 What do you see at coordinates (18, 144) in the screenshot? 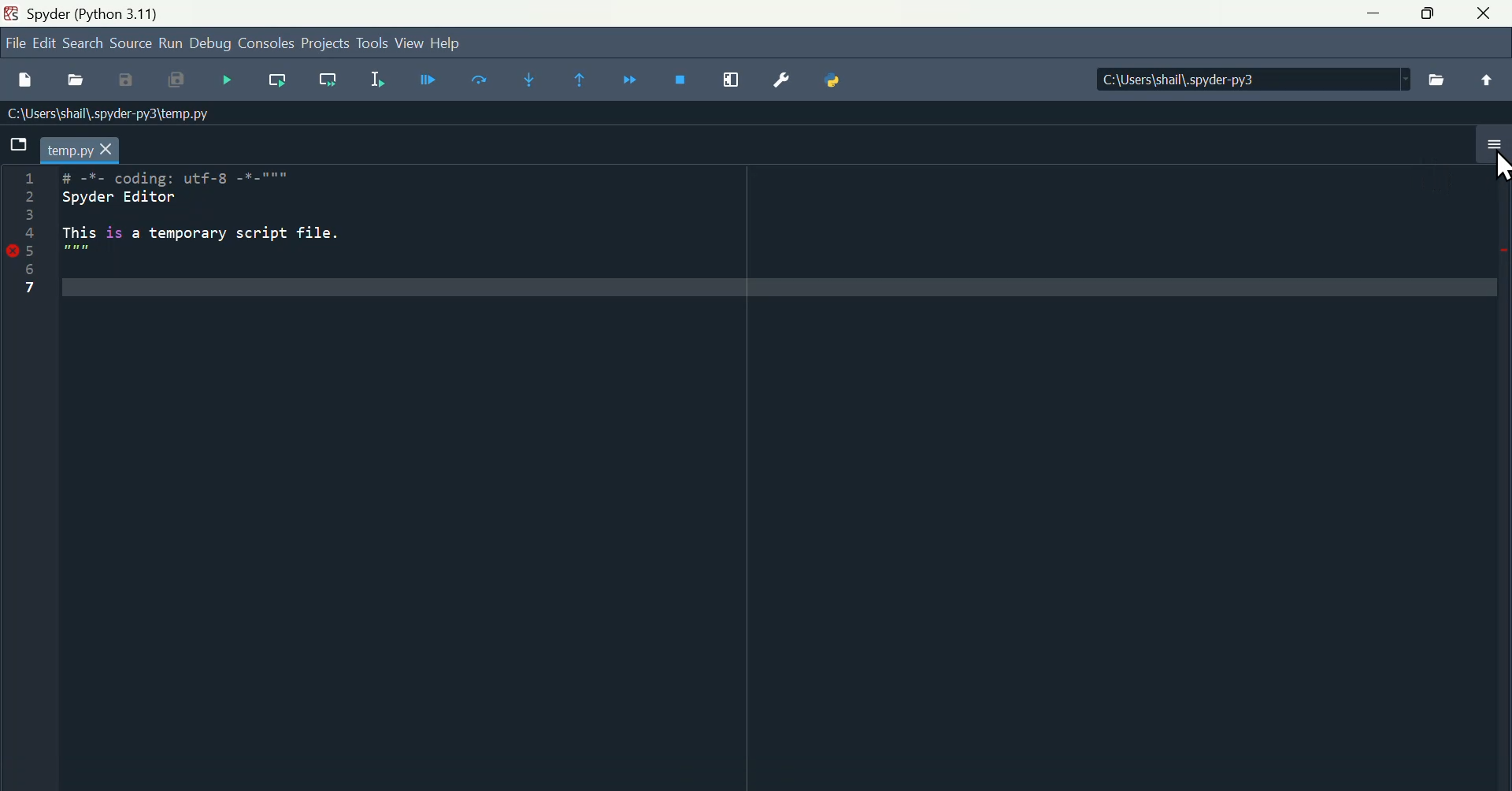
I see `folder` at bounding box center [18, 144].